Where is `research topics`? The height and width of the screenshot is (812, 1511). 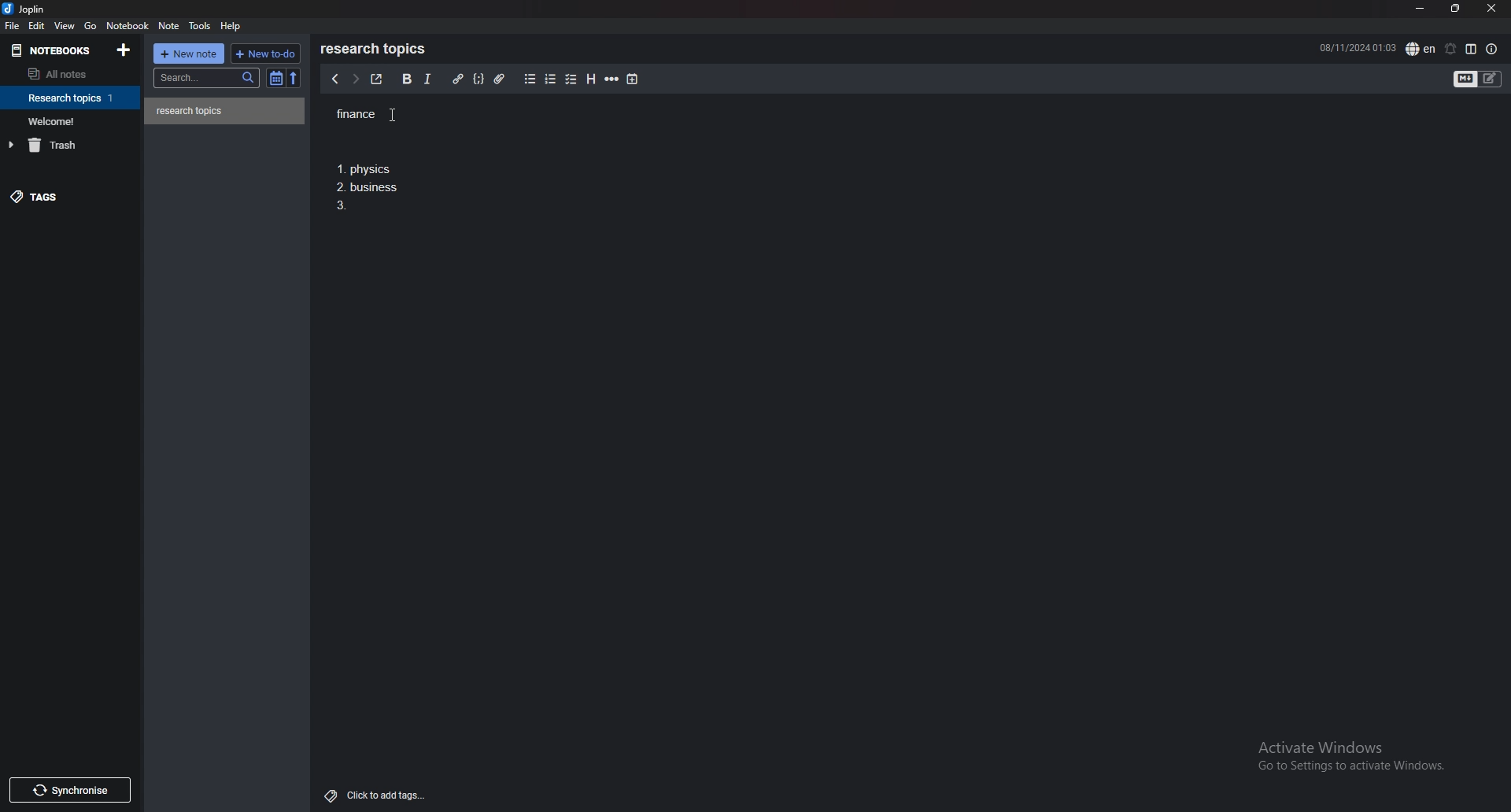
research topics is located at coordinates (376, 49).